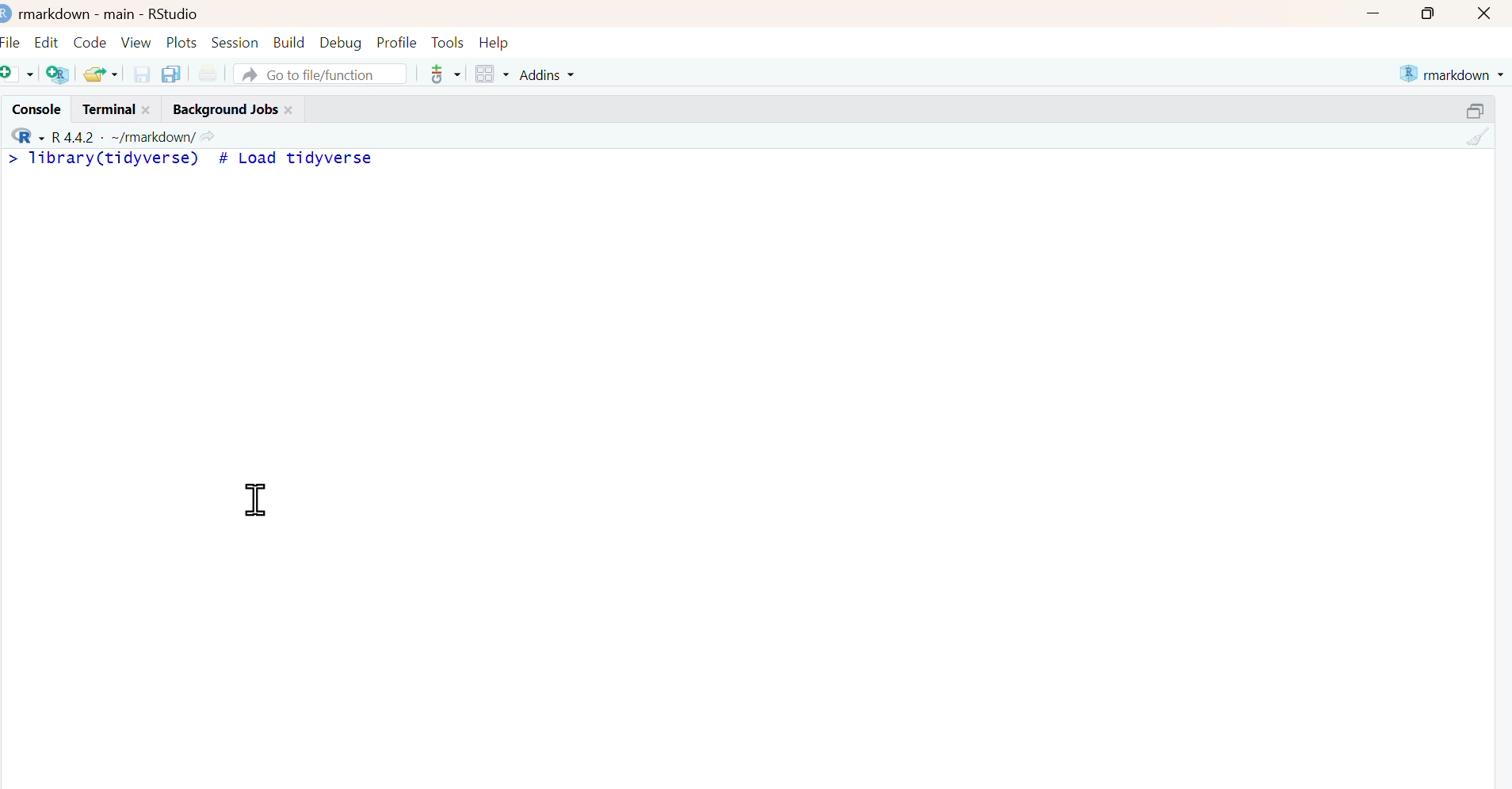 This screenshot has width=1512, height=789. Describe the element at coordinates (48, 39) in the screenshot. I see `Edit` at that location.